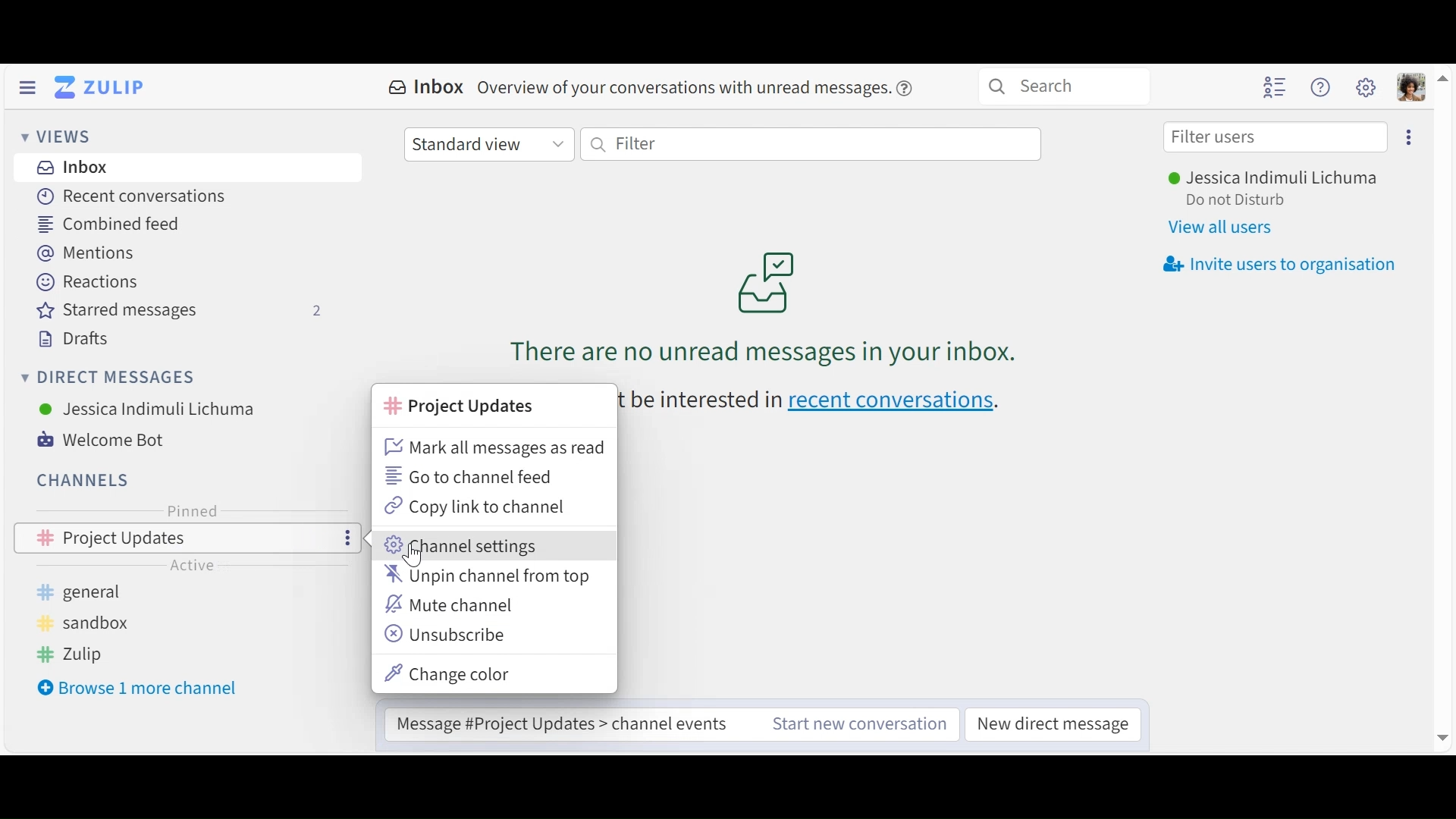  Describe the element at coordinates (88, 281) in the screenshot. I see `Reactions` at that location.